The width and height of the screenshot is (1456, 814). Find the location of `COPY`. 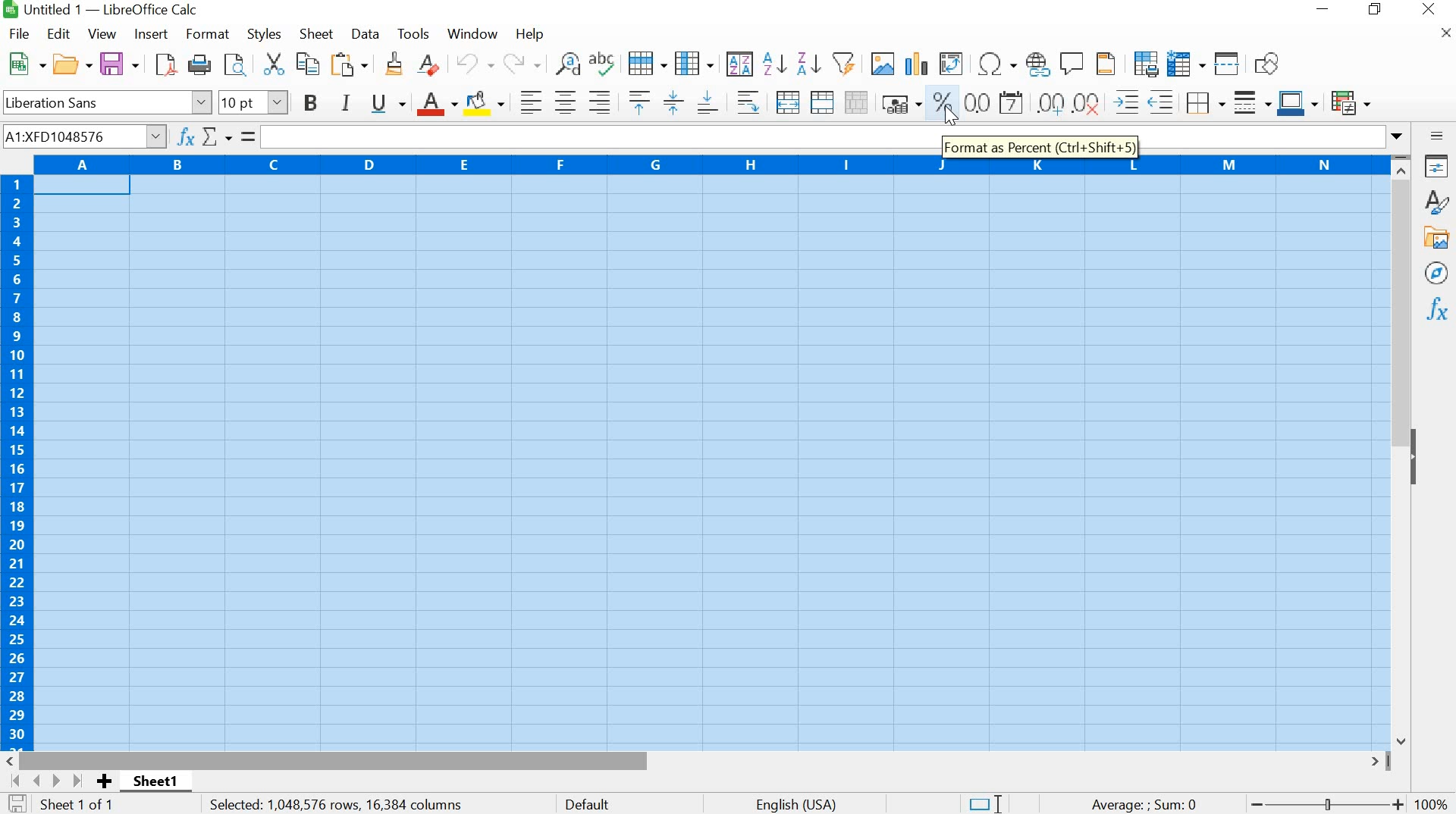

COPY is located at coordinates (306, 64).